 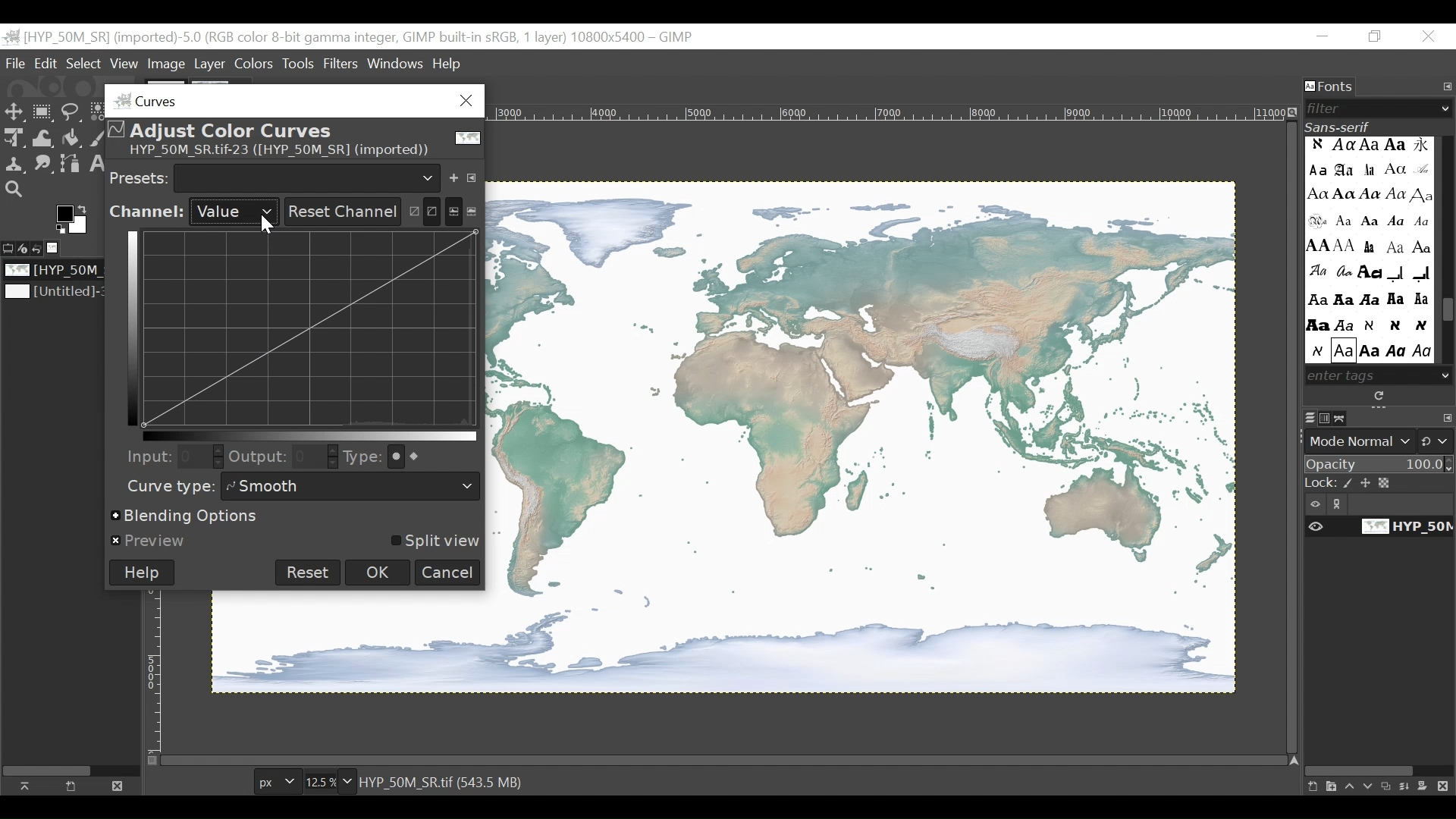 What do you see at coordinates (70, 140) in the screenshot?
I see `Fill` at bounding box center [70, 140].